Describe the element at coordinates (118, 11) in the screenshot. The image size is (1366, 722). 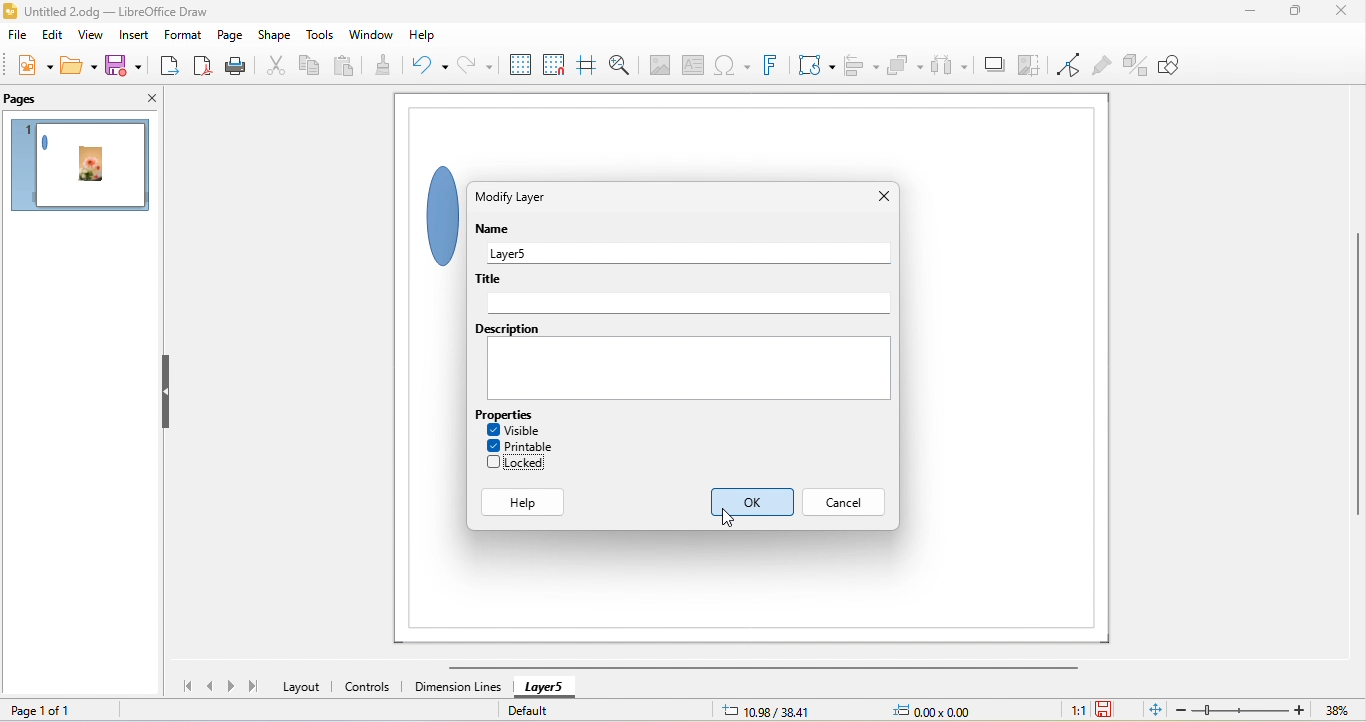
I see `title` at that location.